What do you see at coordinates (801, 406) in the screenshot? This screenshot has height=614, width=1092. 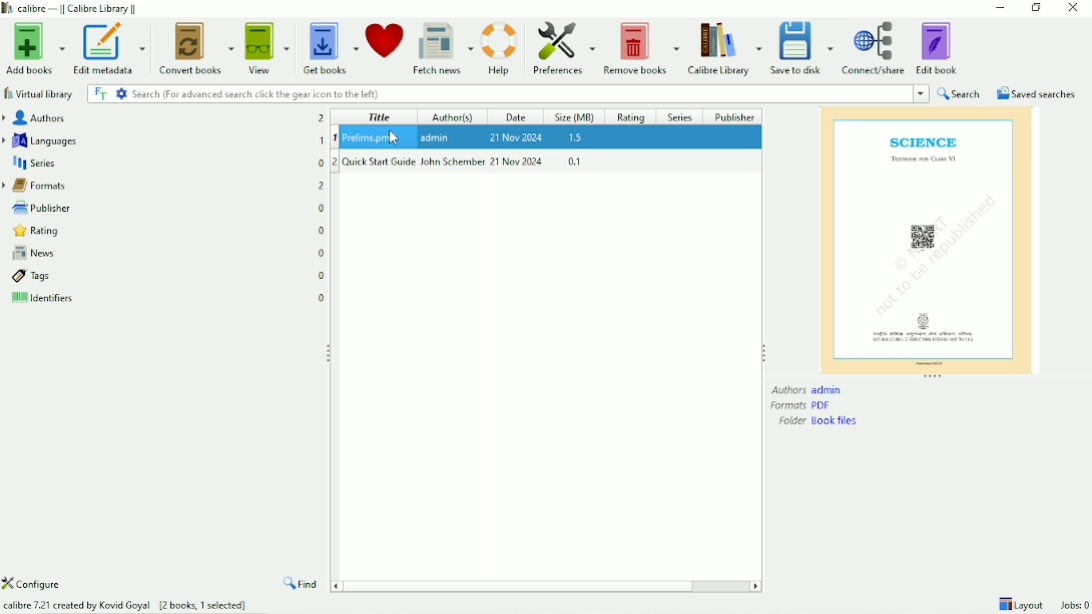 I see `Formats` at bounding box center [801, 406].